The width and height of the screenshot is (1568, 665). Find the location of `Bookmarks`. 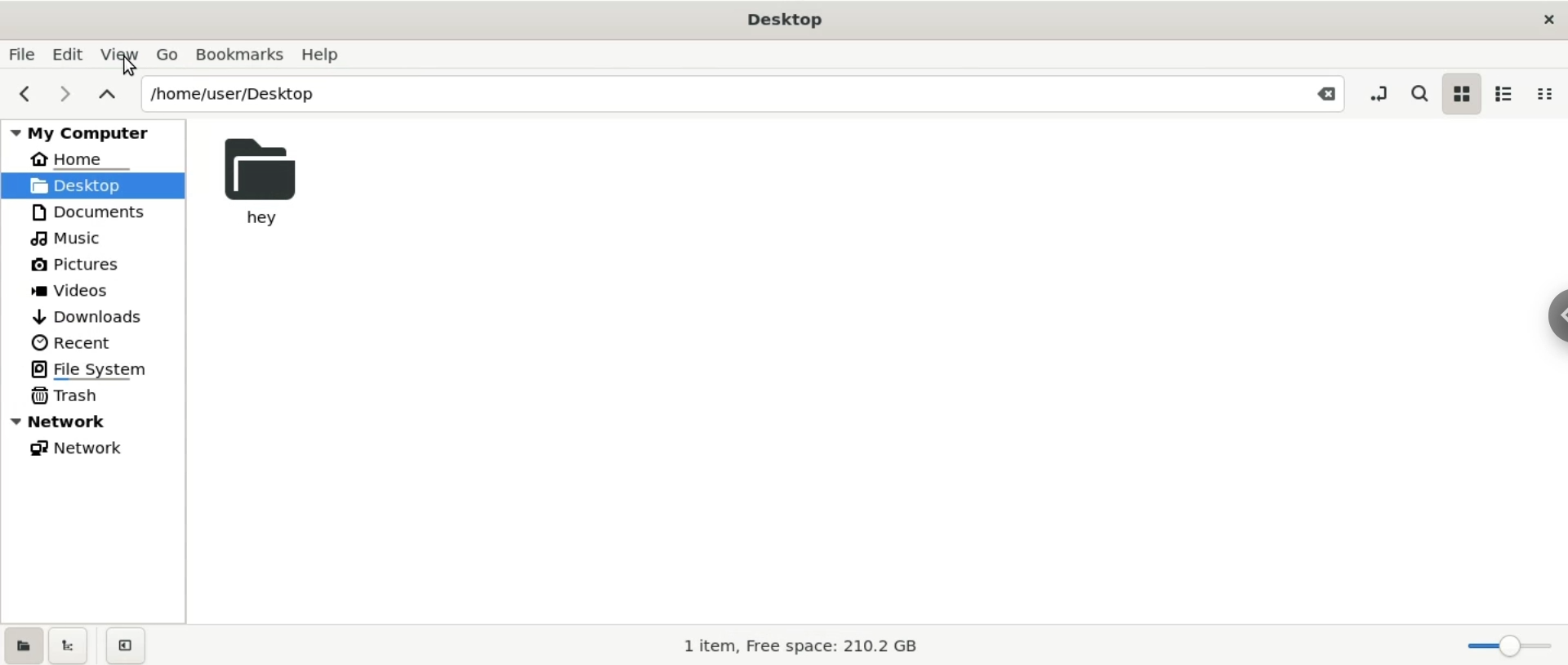

Bookmarks is located at coordinates (241, 55).